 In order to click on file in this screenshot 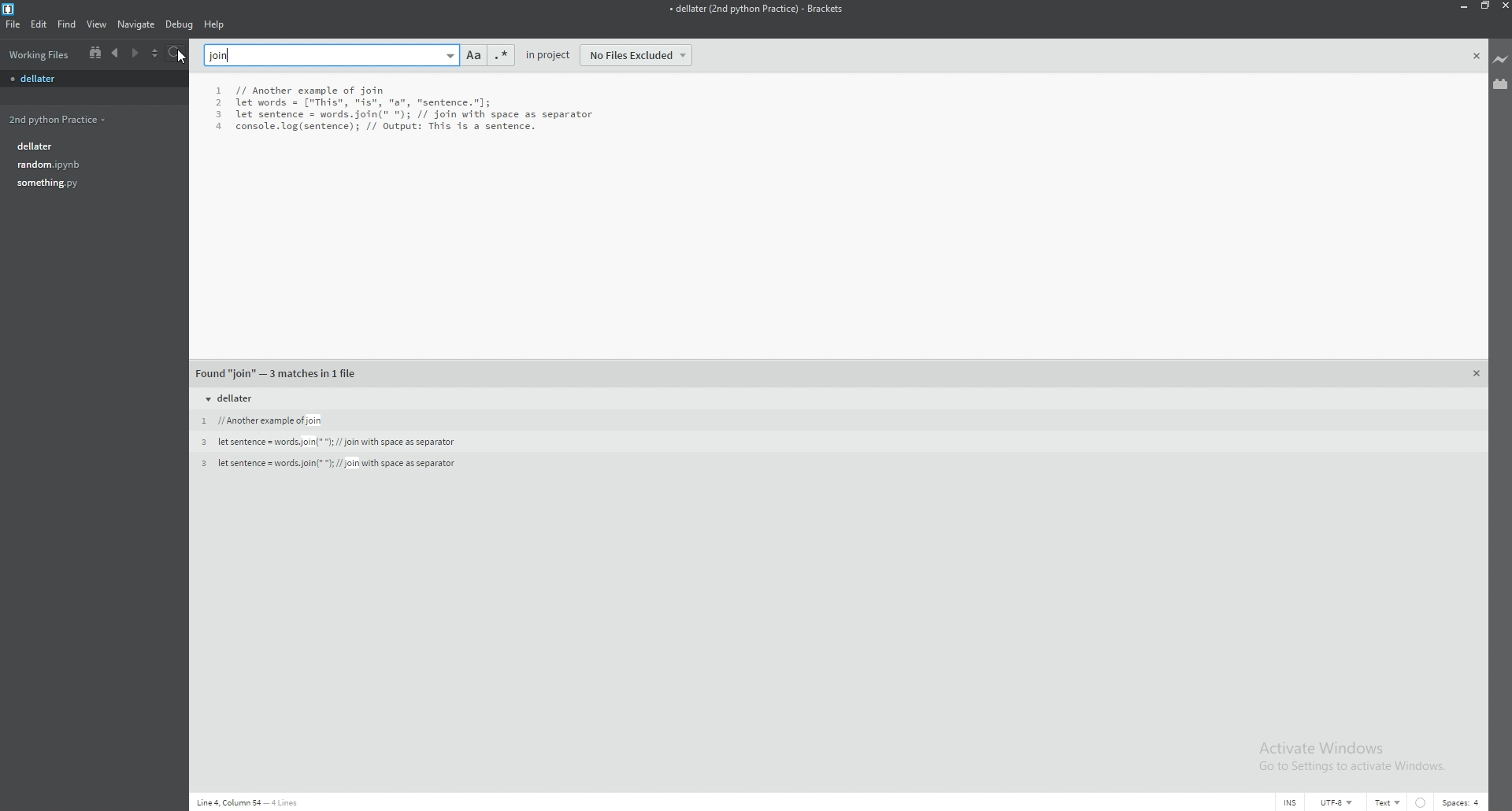, I will do `click(14, 25)`.